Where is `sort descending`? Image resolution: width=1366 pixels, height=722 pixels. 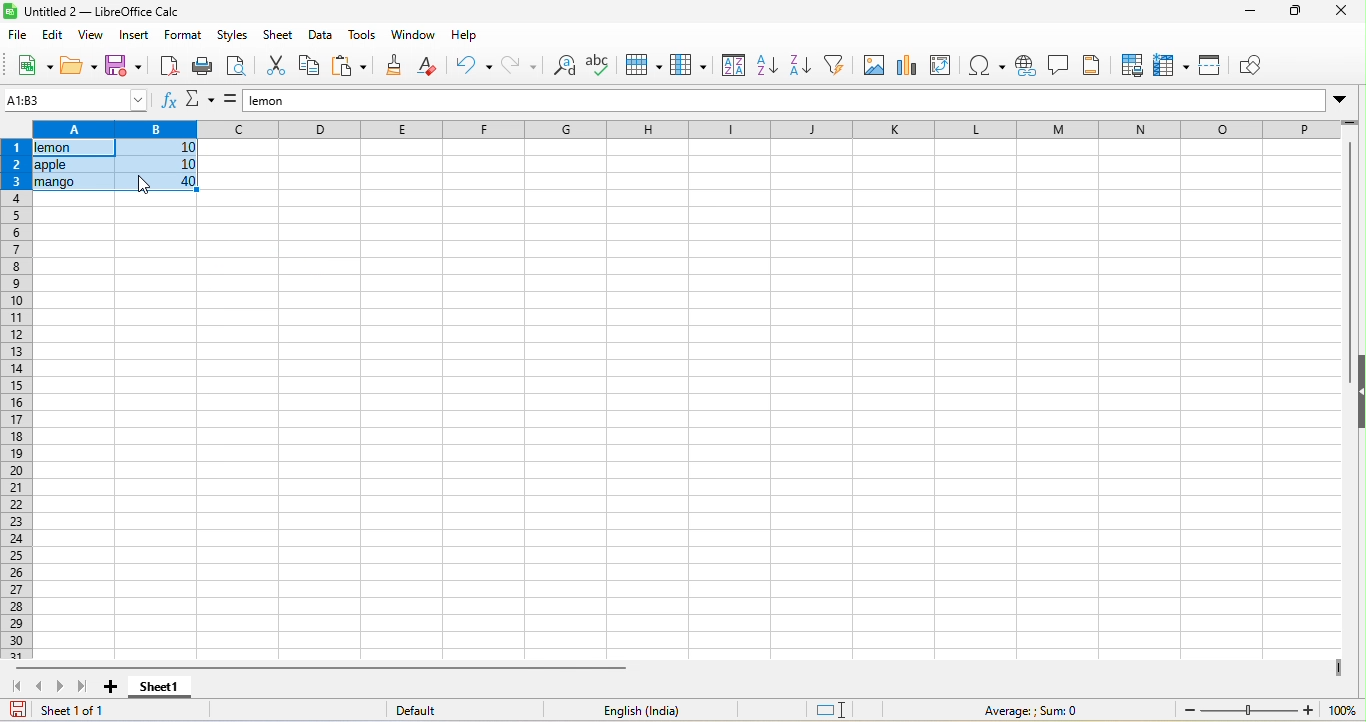
sort descending is located at coordinates (800, 68).